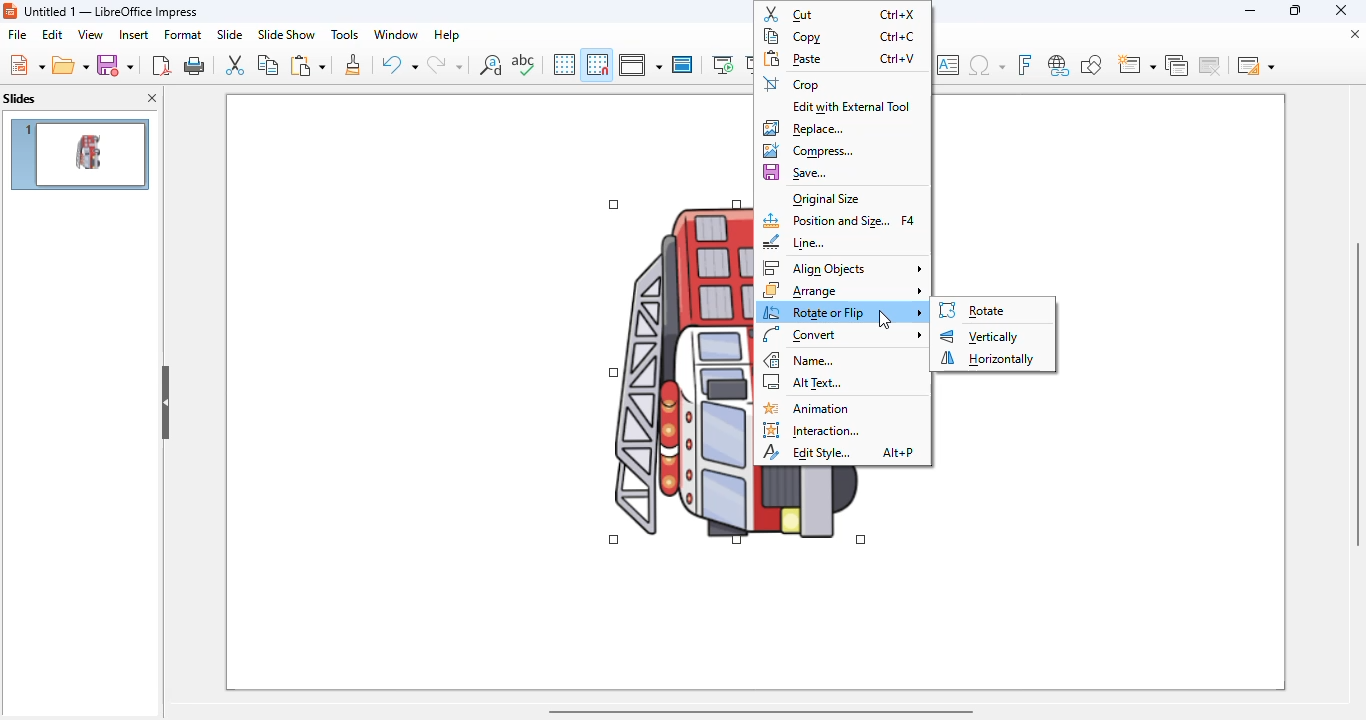 Image resolution: width=1366 pixels, height=720 pixels. What do you see at coordinates (809, 151) in the screenshot?
I see `compress` at bounding box center [809, 151].